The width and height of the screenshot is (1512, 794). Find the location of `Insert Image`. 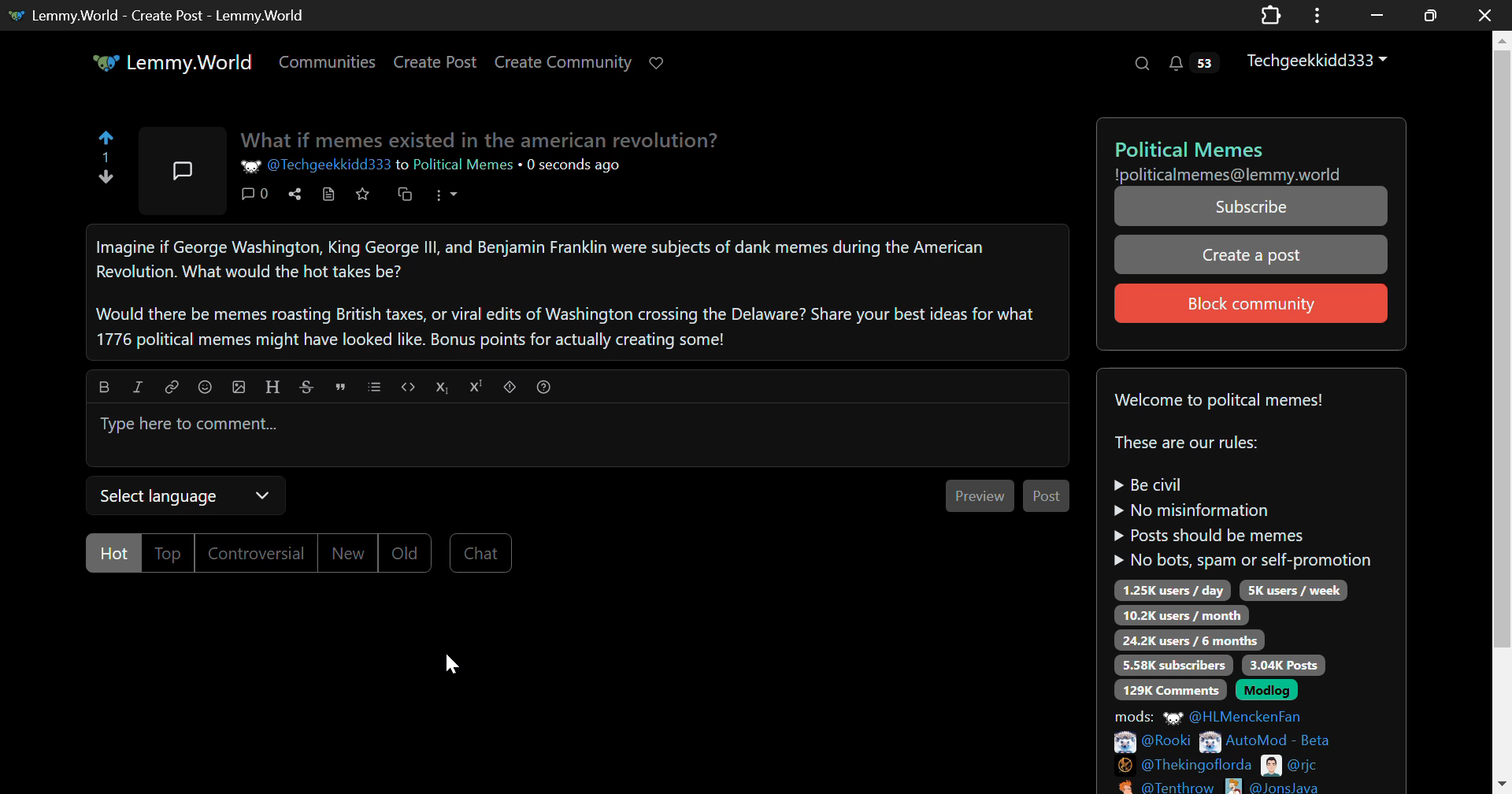

Insert Image is located at coordinates (239, 384).